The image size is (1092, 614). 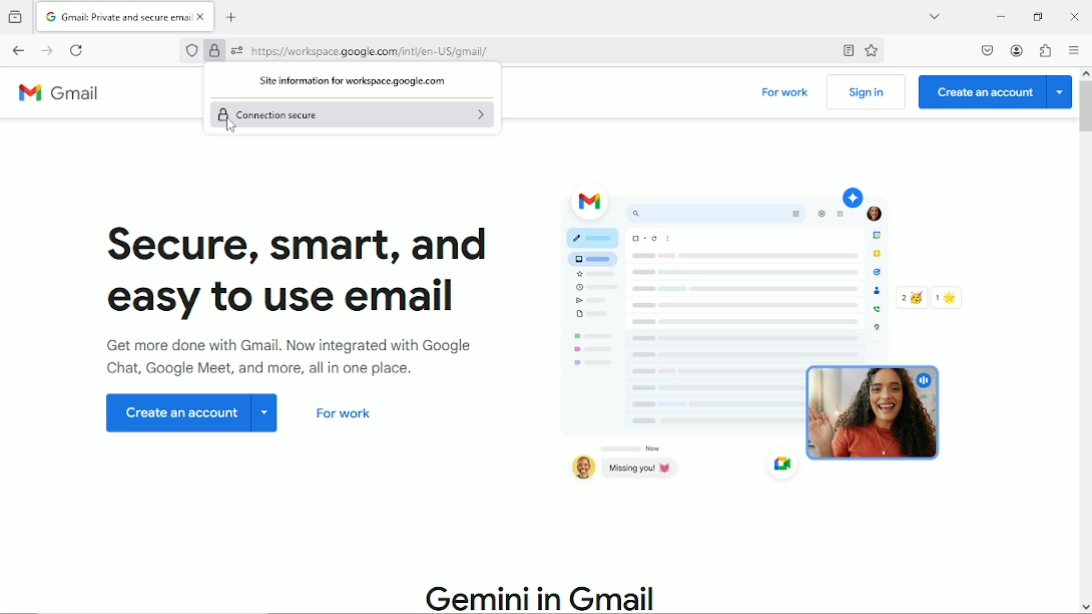 What do you see at coordinates (1038, 14) in the screenshot?
I see `restore down` at bounding box center [1038, 14].